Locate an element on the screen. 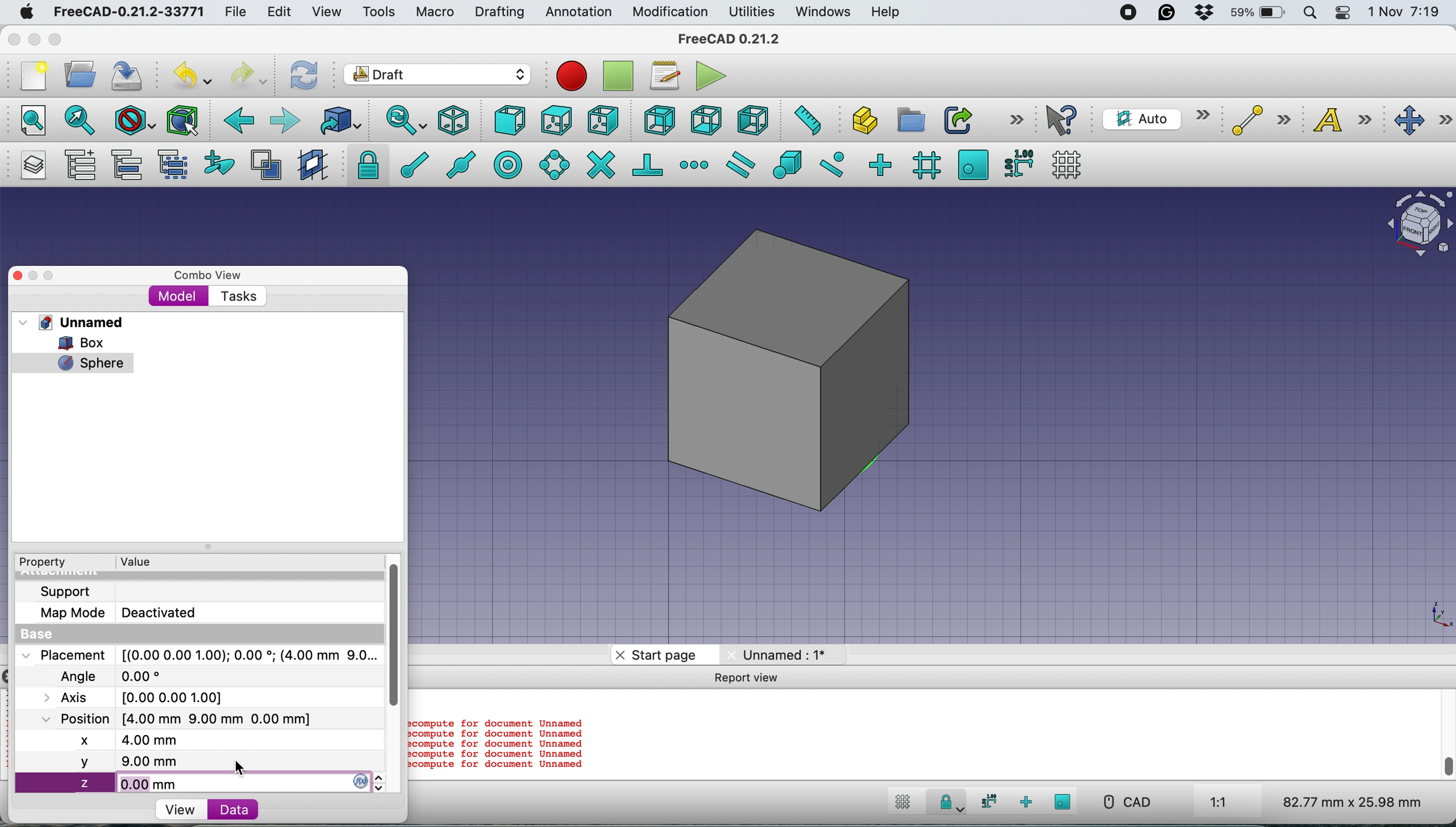  object intersection is located at coordinates (1418, 222).